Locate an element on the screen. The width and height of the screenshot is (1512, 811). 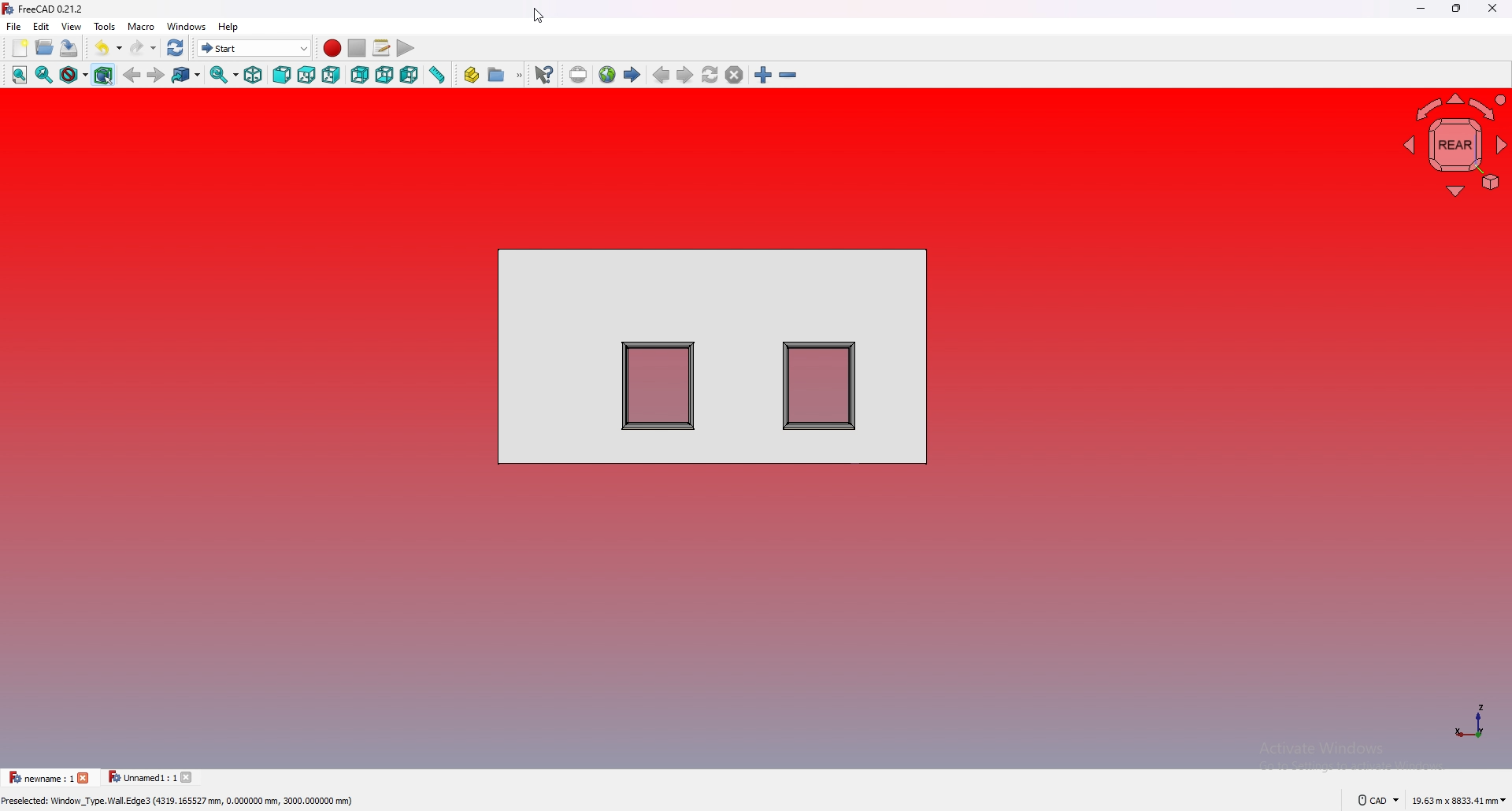
top is located at coordinates (306, 75).